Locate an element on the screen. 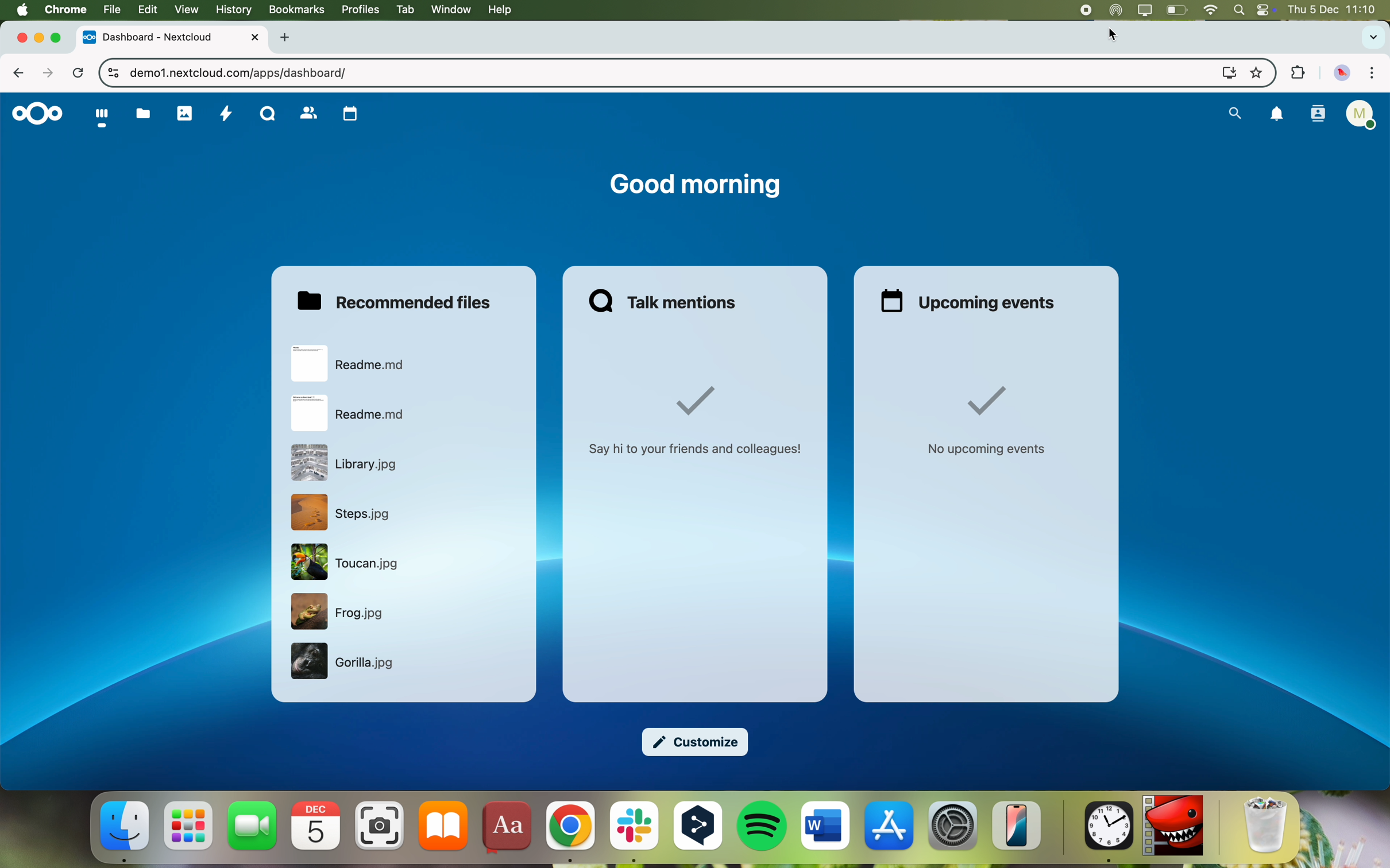  file is located at coordinates (349, 463).